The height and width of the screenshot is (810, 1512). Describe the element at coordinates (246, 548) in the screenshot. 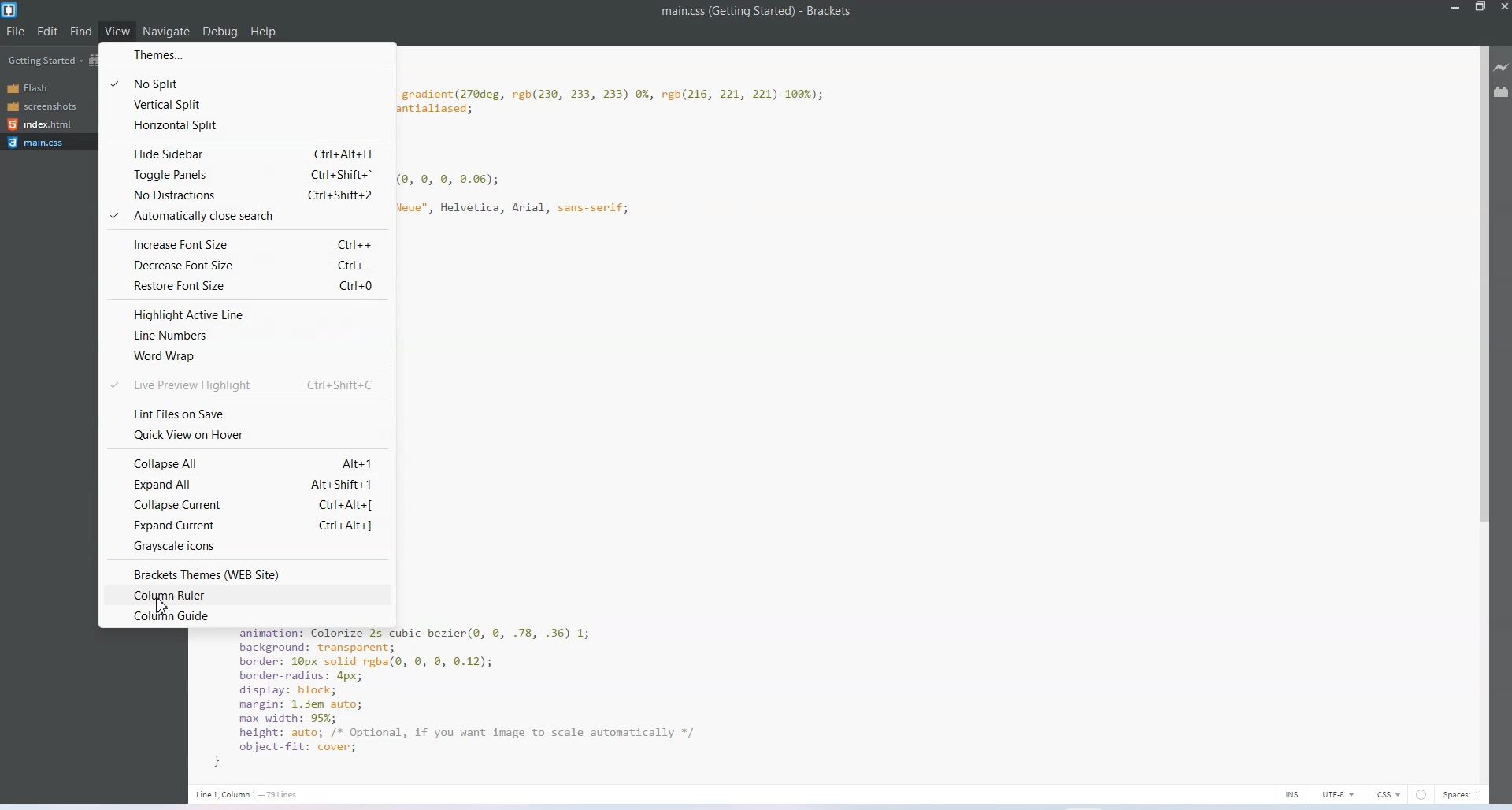

I see `Grayscale icons` at that location.